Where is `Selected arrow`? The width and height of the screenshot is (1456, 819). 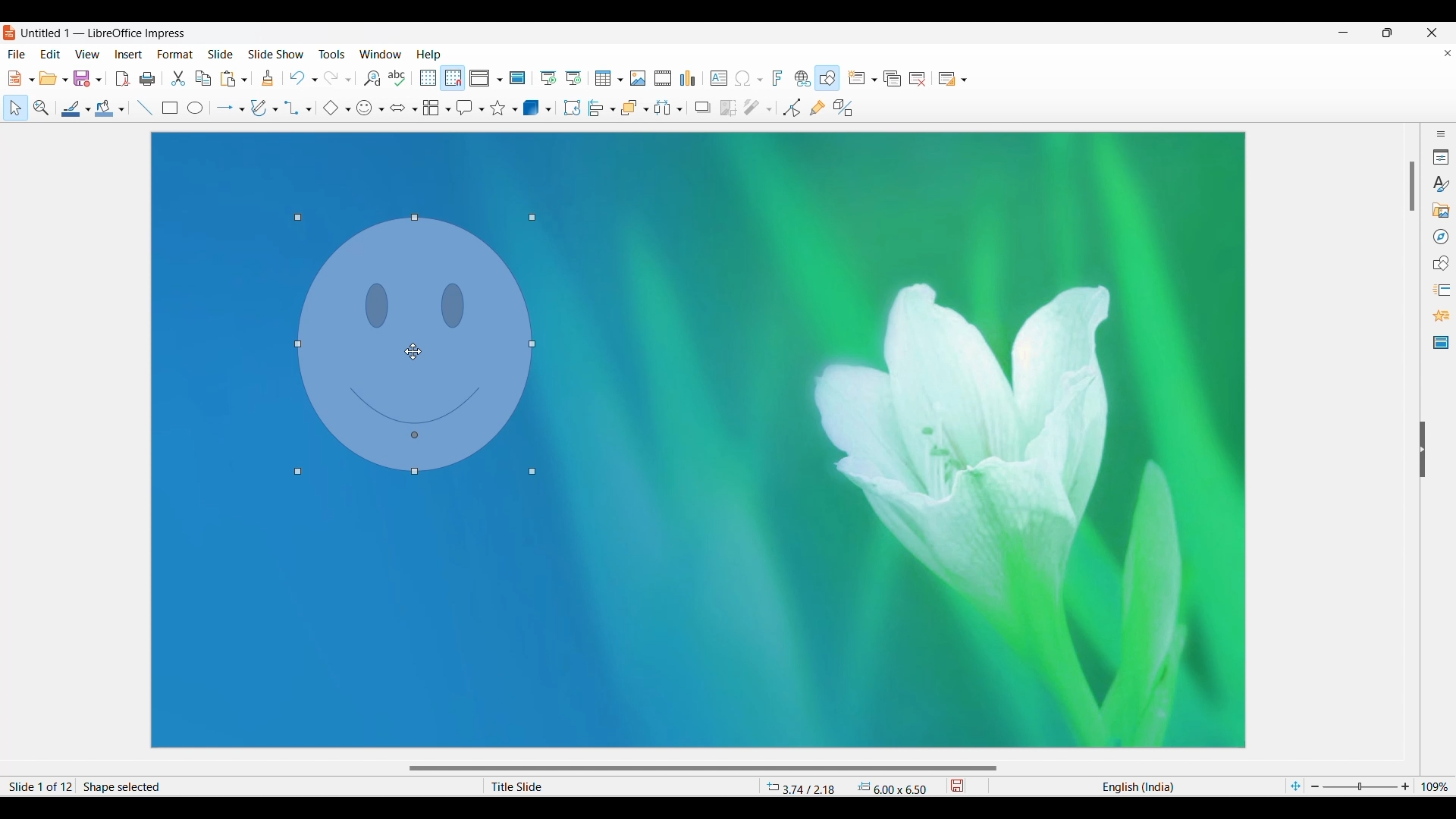 Selected arrow is located at coordinates (225, 108).